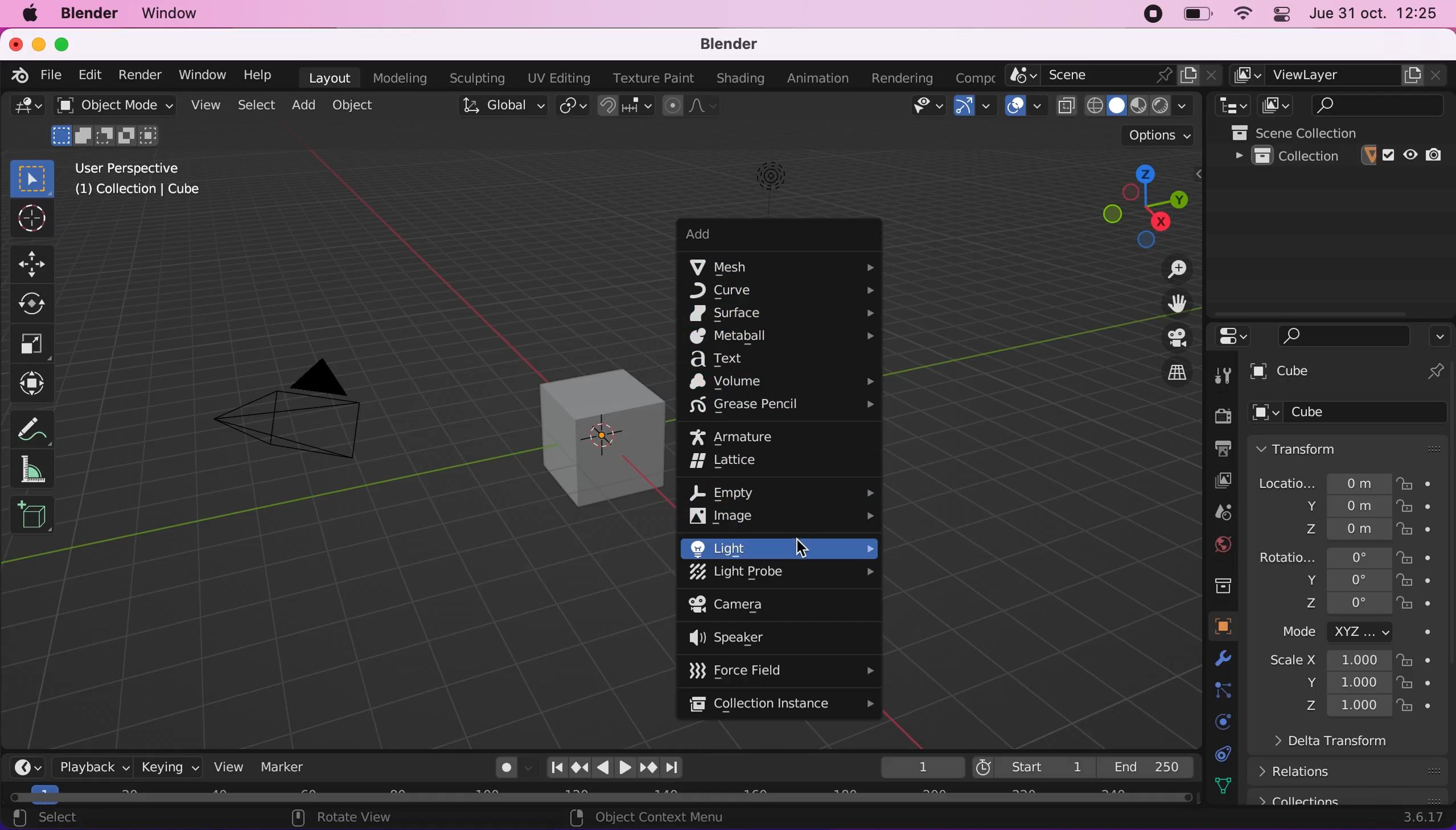  Describe the element at coordinates (1340, 76) in the screenshot. I see `view layer` at that location.